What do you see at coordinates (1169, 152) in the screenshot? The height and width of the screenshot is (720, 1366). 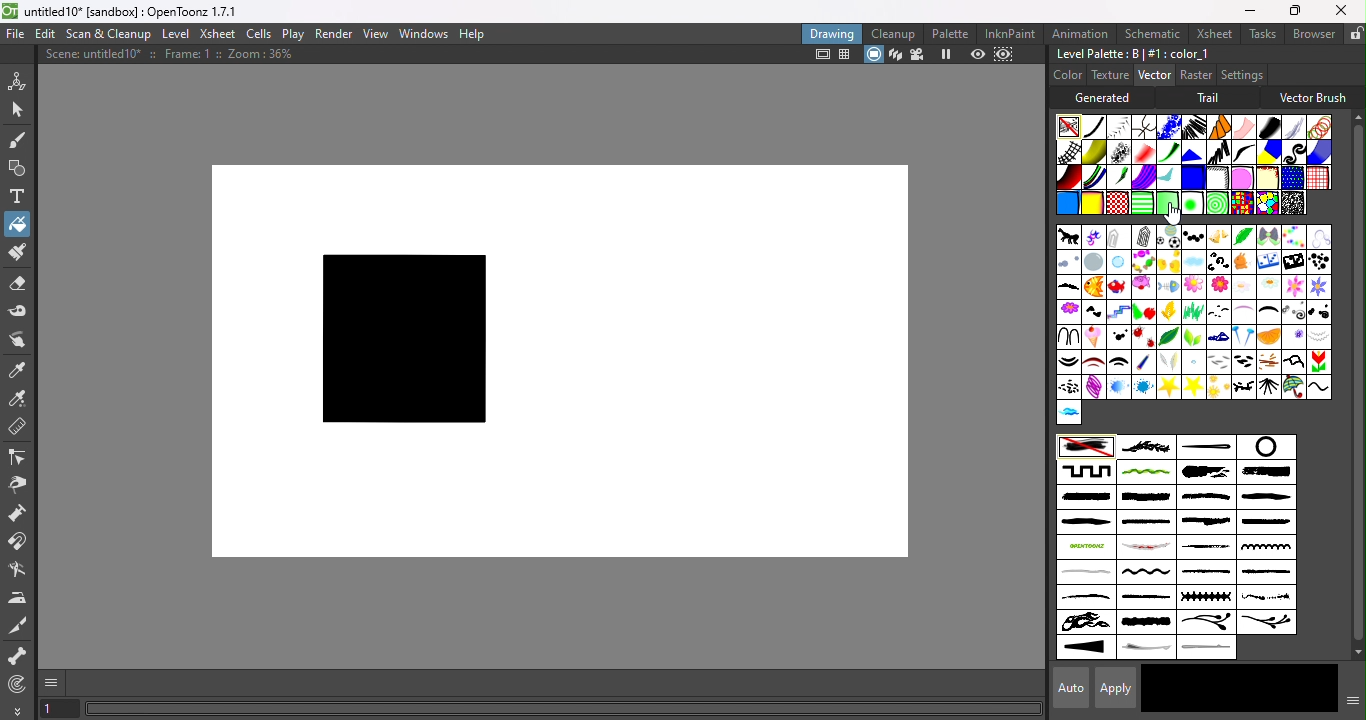 I see `Ribbon` at bounding box center [1169, 152].